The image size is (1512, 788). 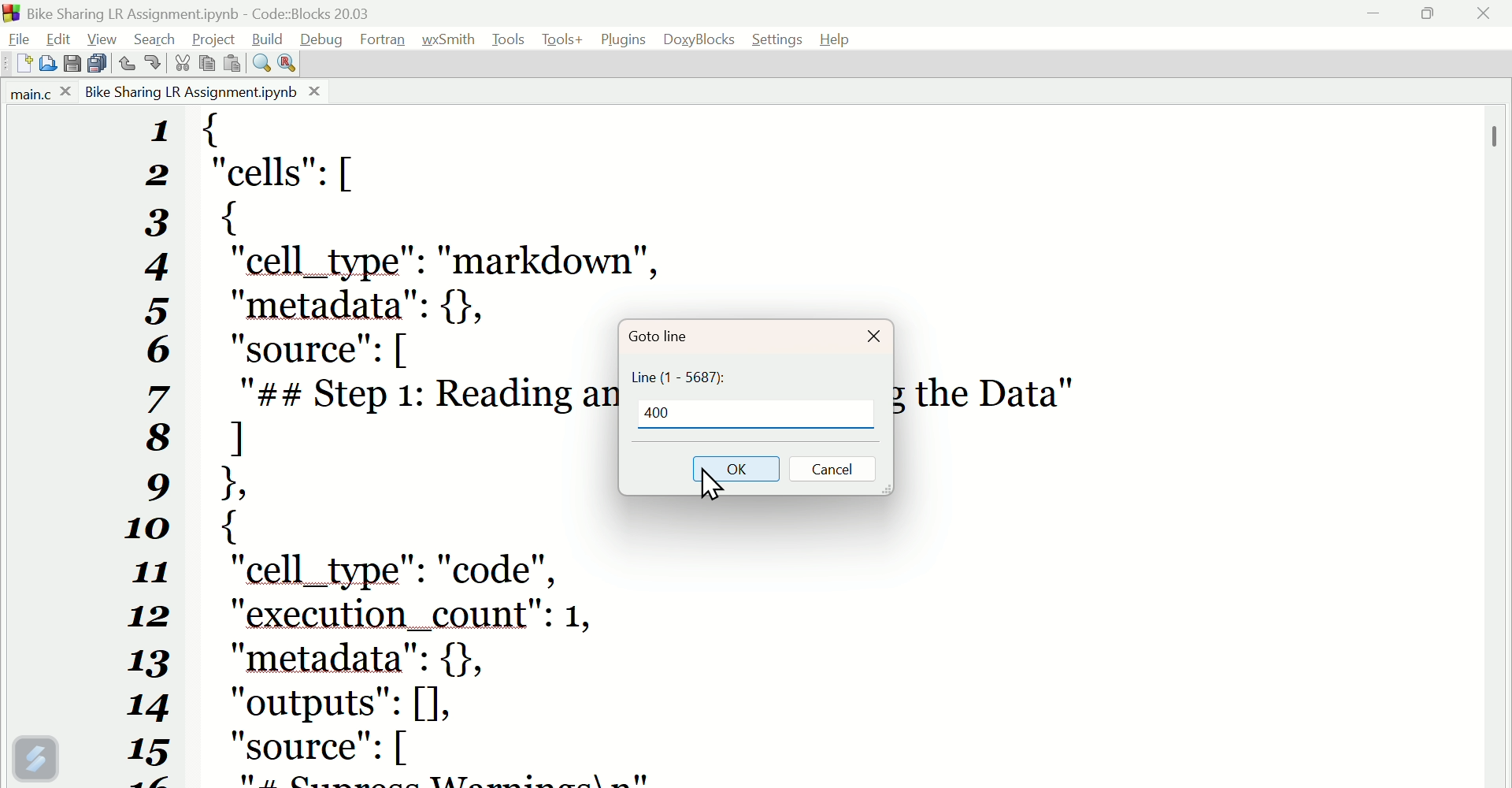 I want to click on Project, so click(x=217, y=38).